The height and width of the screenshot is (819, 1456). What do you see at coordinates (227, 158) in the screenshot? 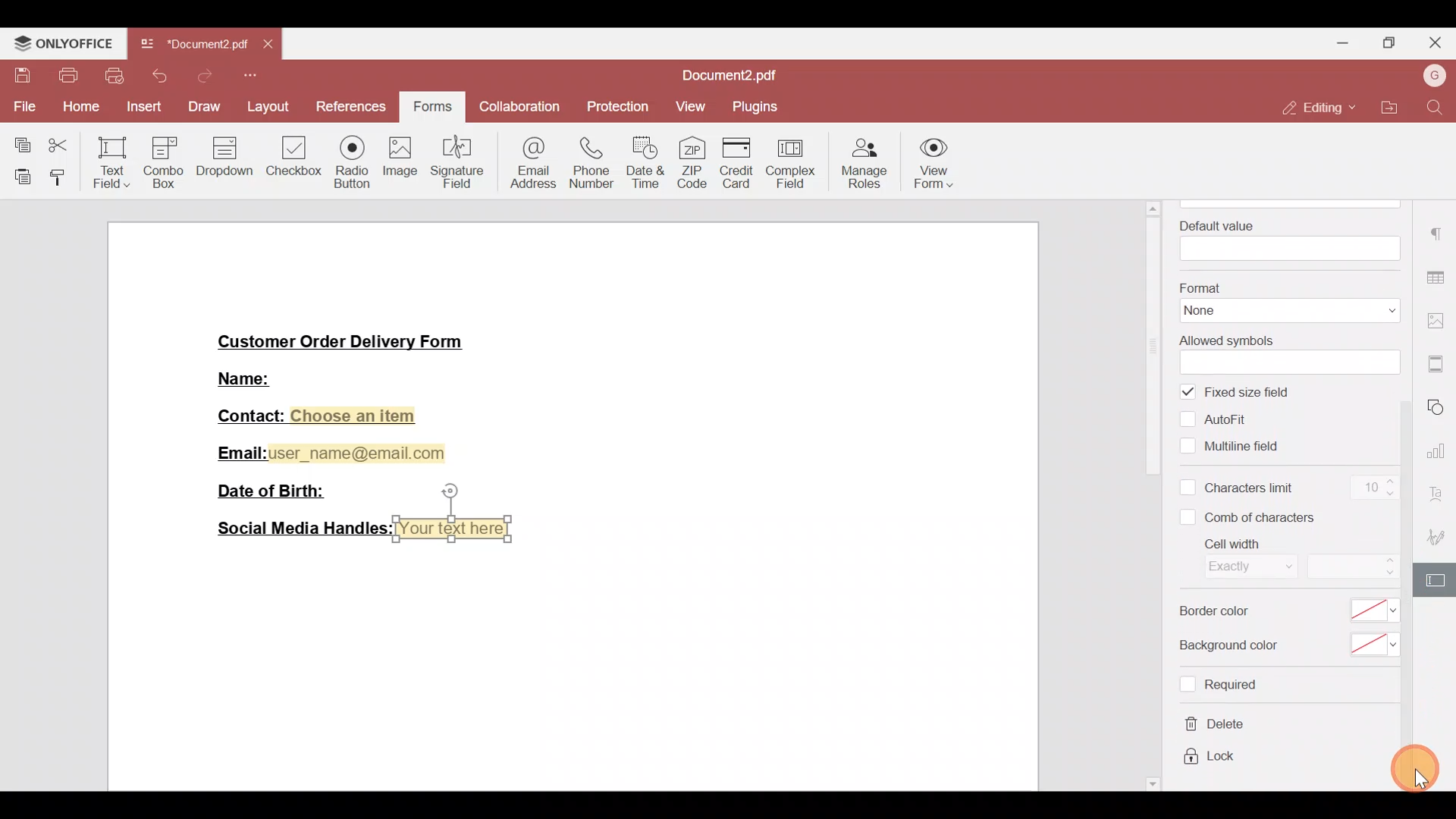
I see `Dropdown` at bounding box center [227, 158].